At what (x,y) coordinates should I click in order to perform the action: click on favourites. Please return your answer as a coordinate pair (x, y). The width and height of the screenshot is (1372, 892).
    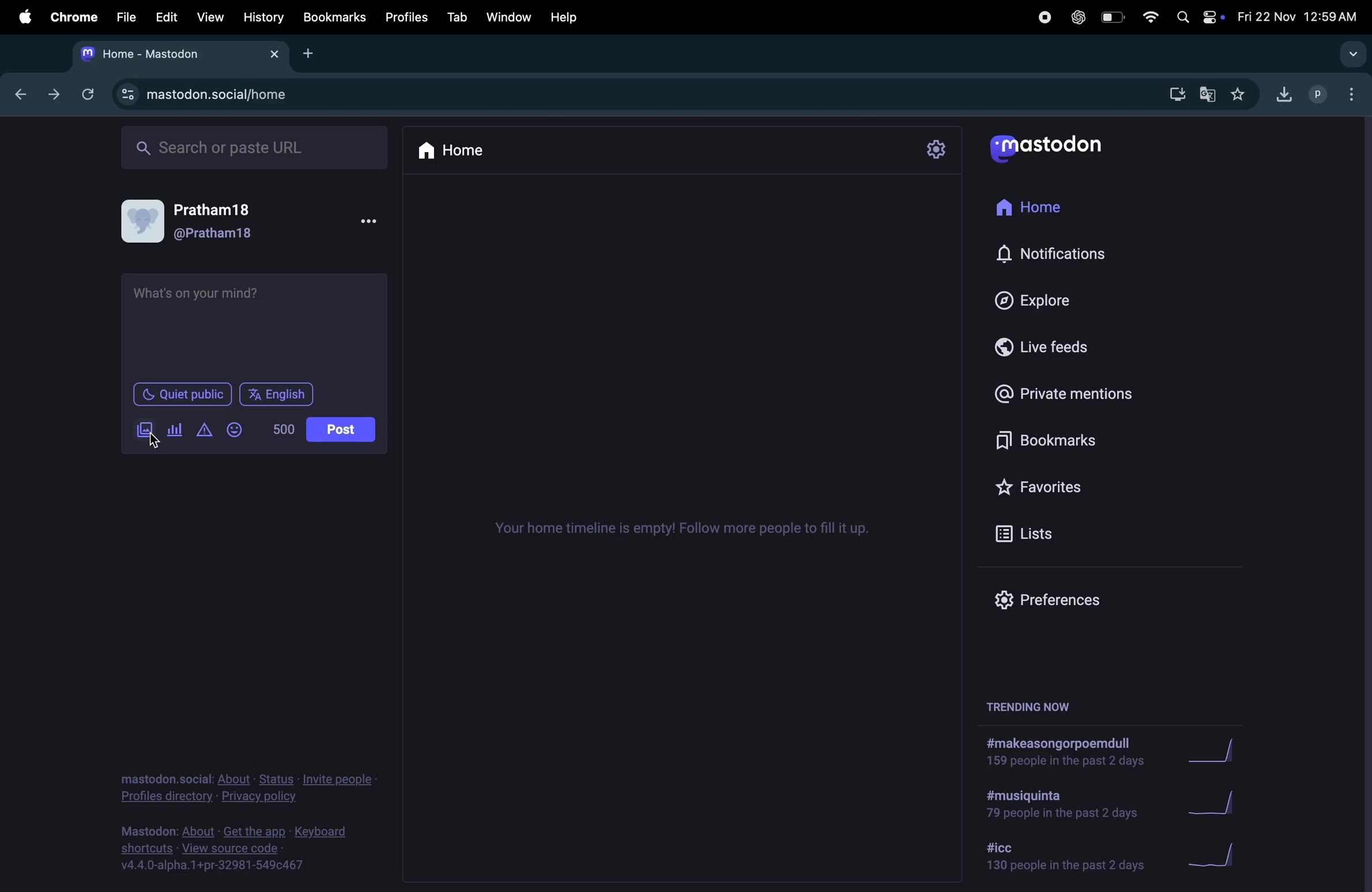
    Looking at the image, I should click on (1074, 485).